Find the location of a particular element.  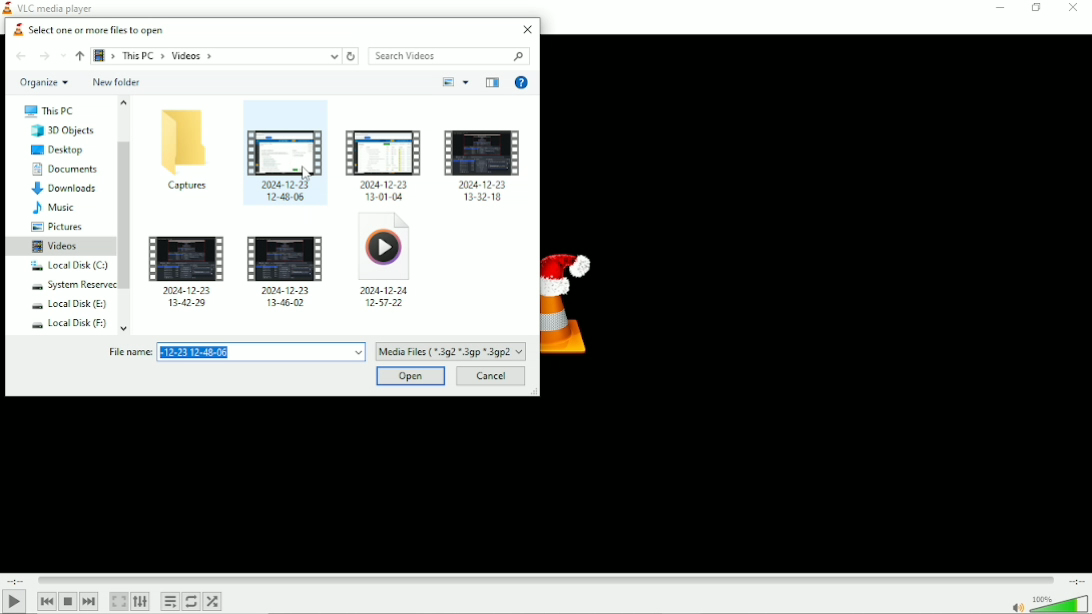

System reserved is located at coordinates (67, 285).